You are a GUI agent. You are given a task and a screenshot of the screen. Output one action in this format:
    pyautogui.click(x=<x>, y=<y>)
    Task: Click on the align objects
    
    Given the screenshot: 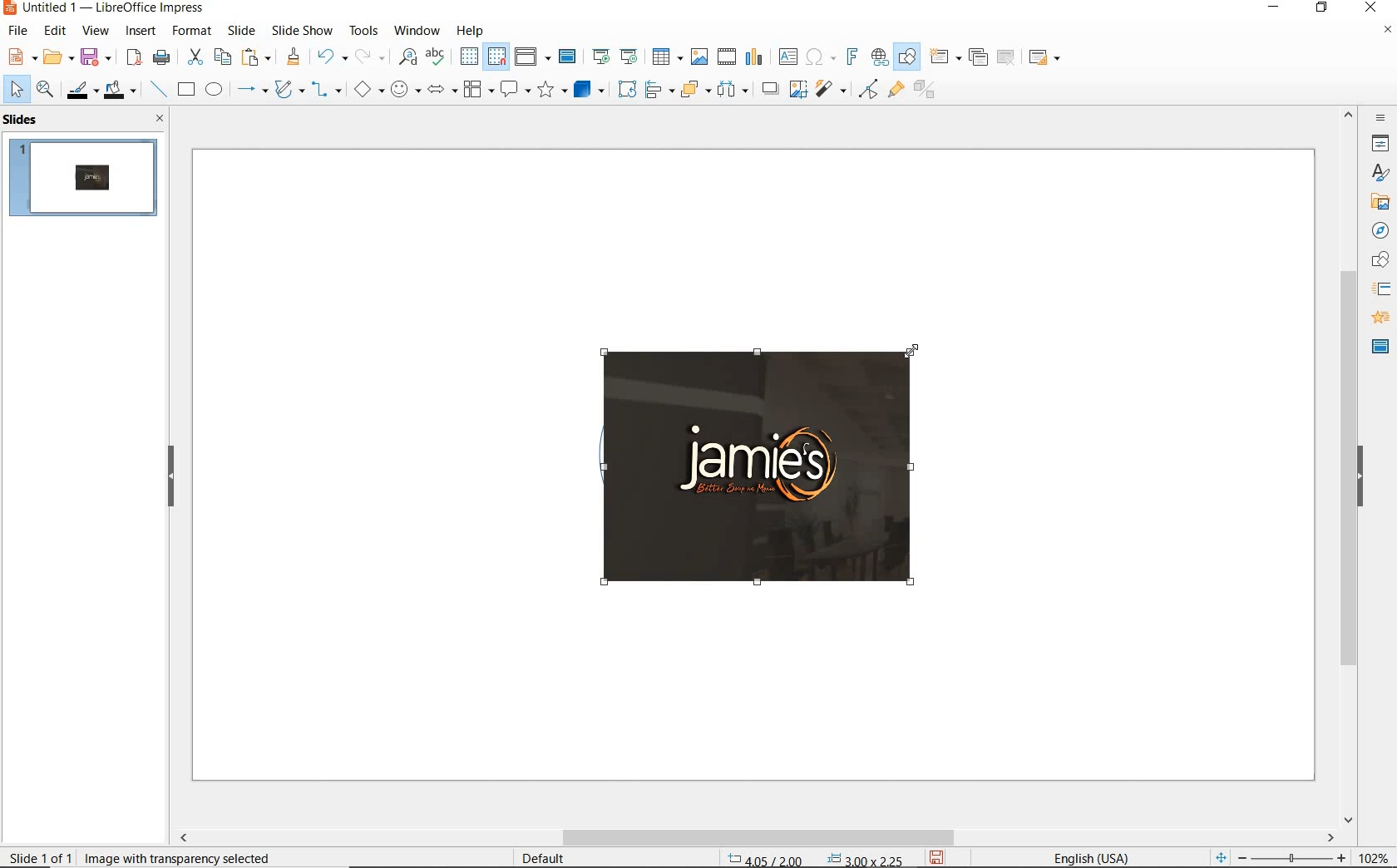 What is the action you would take?
    pyautogui.click(x=655, y=88)
    